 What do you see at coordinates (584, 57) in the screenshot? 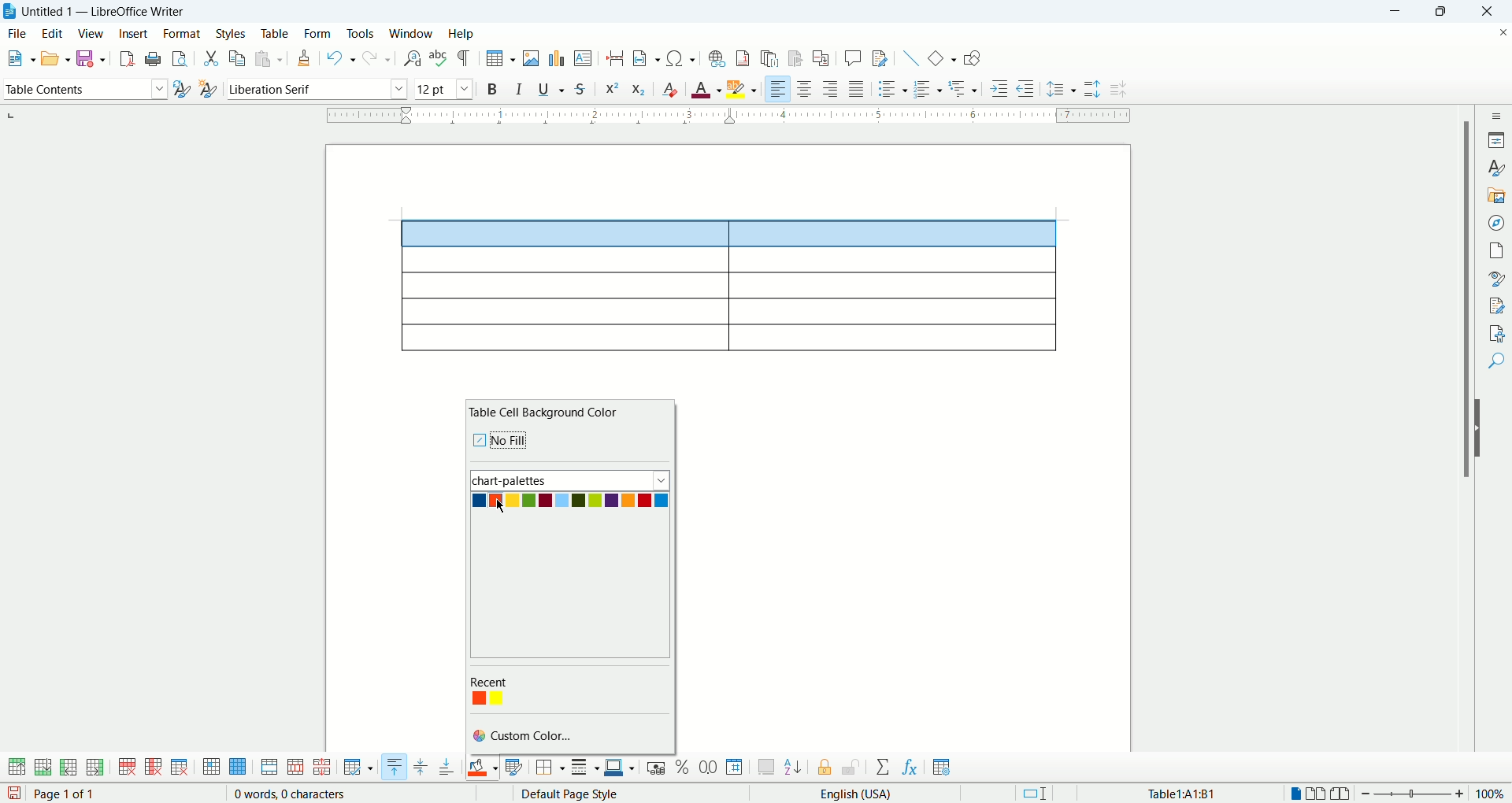
I see `insert text box` at bounding box center [584, 57].